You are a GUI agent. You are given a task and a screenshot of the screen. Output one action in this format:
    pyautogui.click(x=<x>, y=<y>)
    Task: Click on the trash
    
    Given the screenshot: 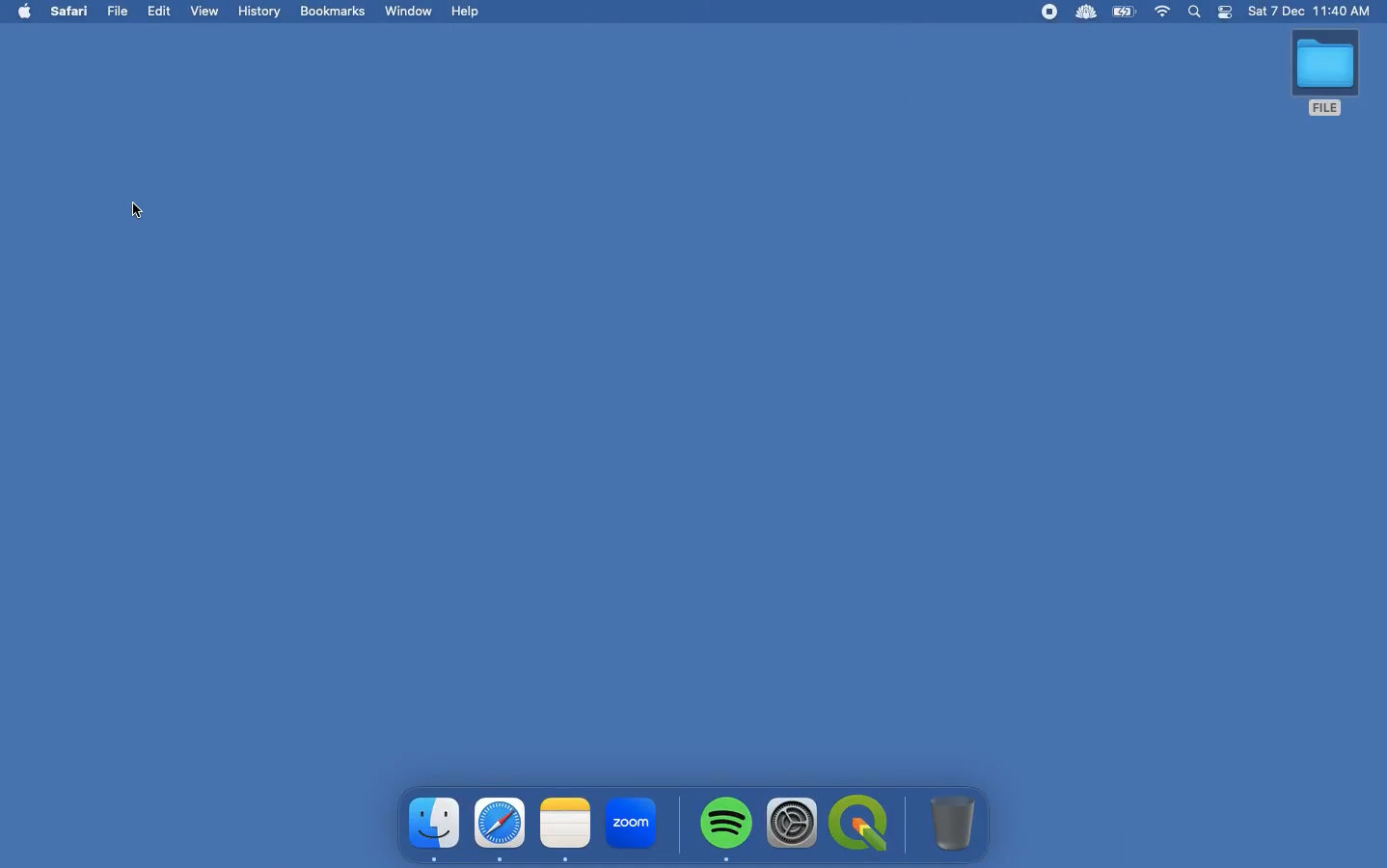 What is the action you would take?
    pyautogui.click(x=950, y=821)
    